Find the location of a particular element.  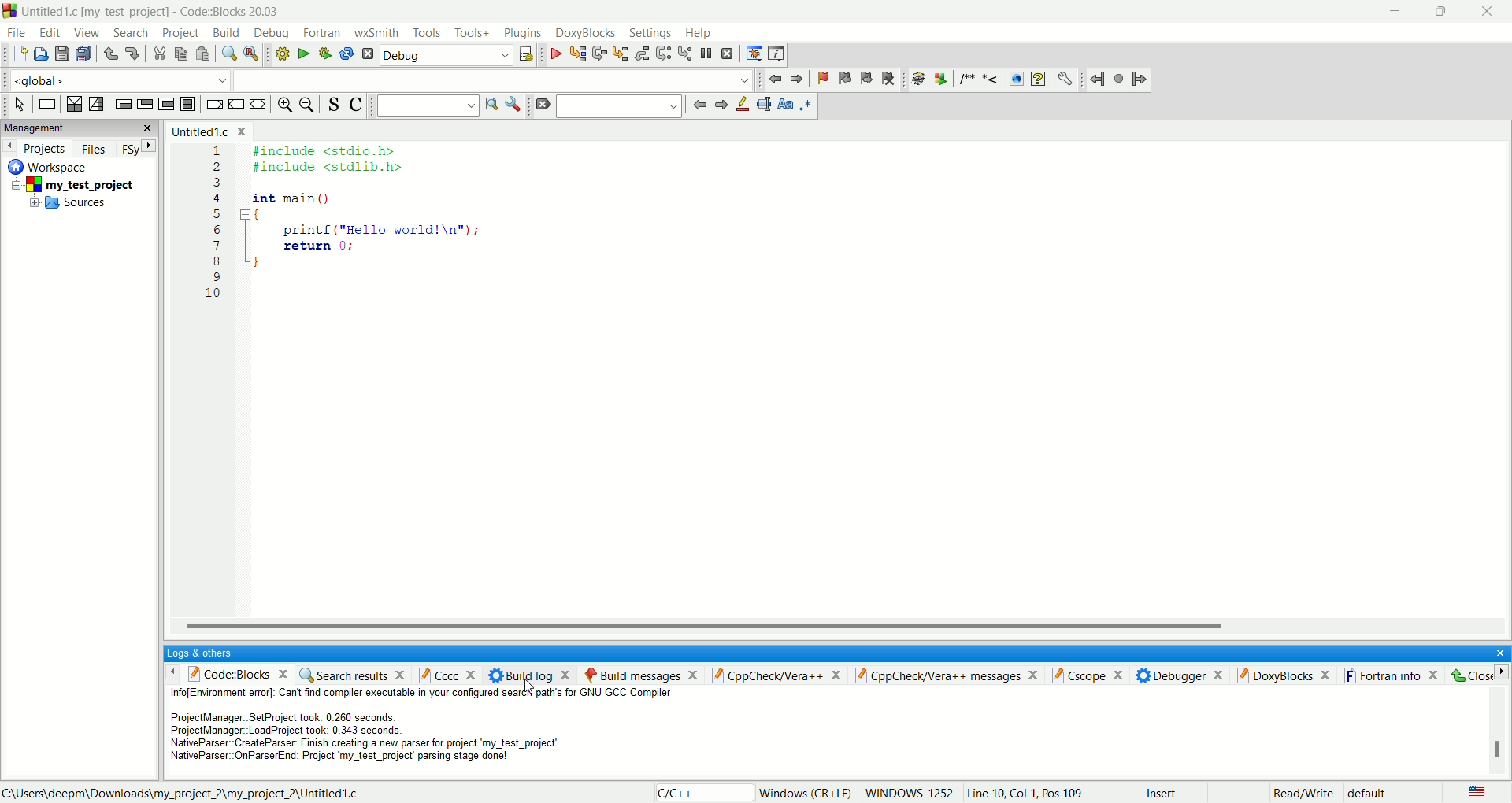

run cursor is located at coordinates (576, 54).